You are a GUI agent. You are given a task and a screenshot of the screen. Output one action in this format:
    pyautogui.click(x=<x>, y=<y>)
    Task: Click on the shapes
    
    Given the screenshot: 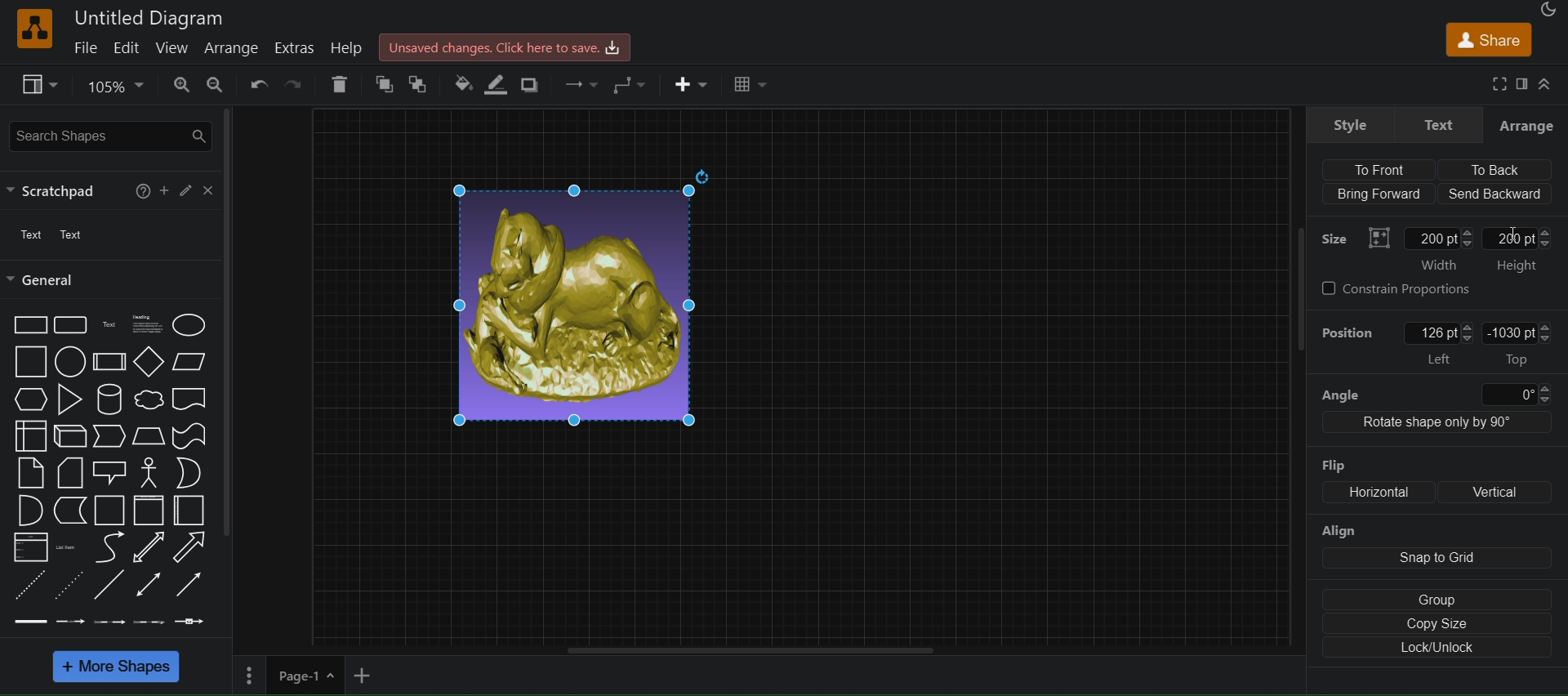 What is the action you would take?
    pyautogui.click(x=118, y=471)
    